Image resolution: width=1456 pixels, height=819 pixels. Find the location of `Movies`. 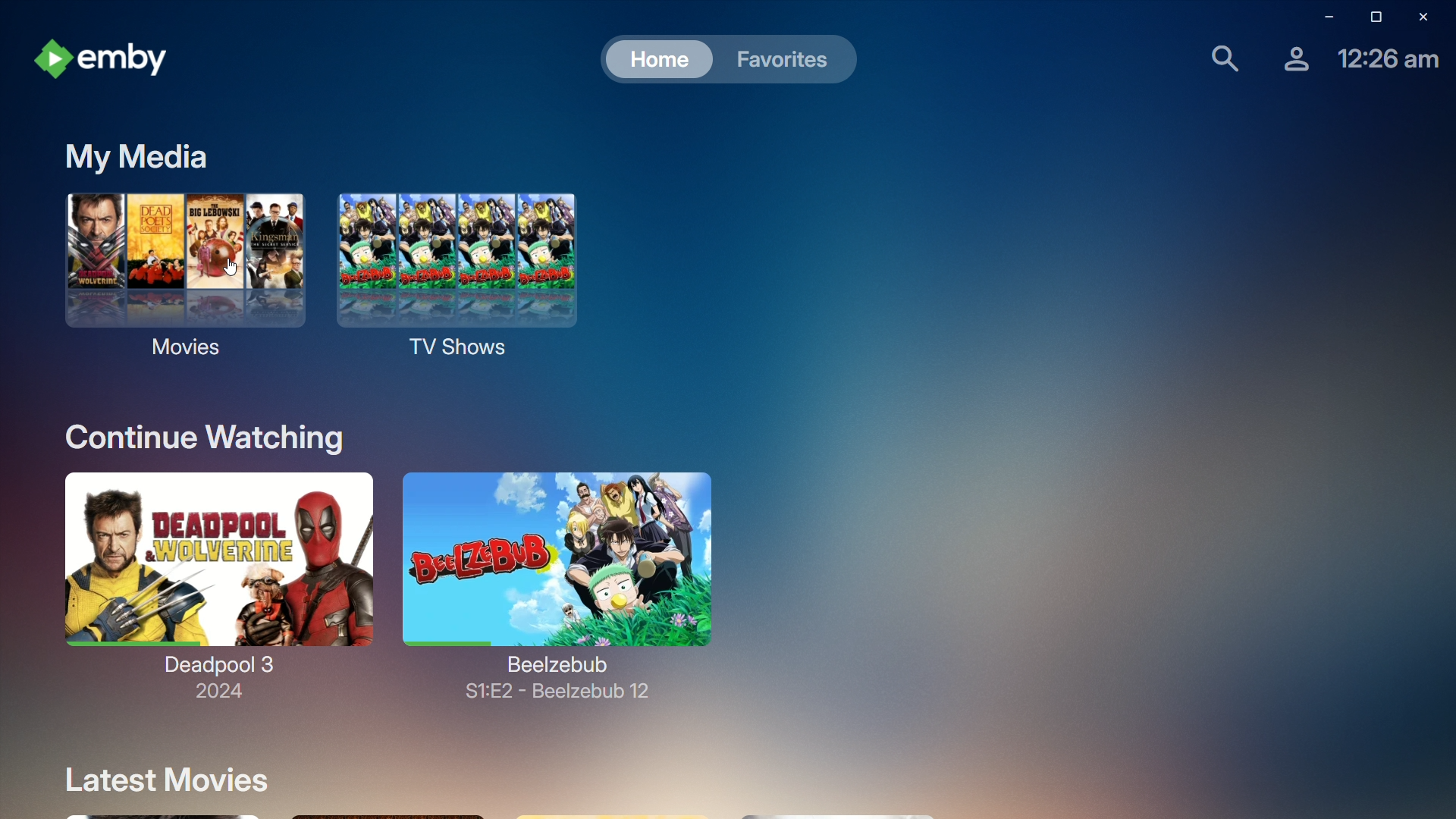

Movies is located at coordinates (174, 327).